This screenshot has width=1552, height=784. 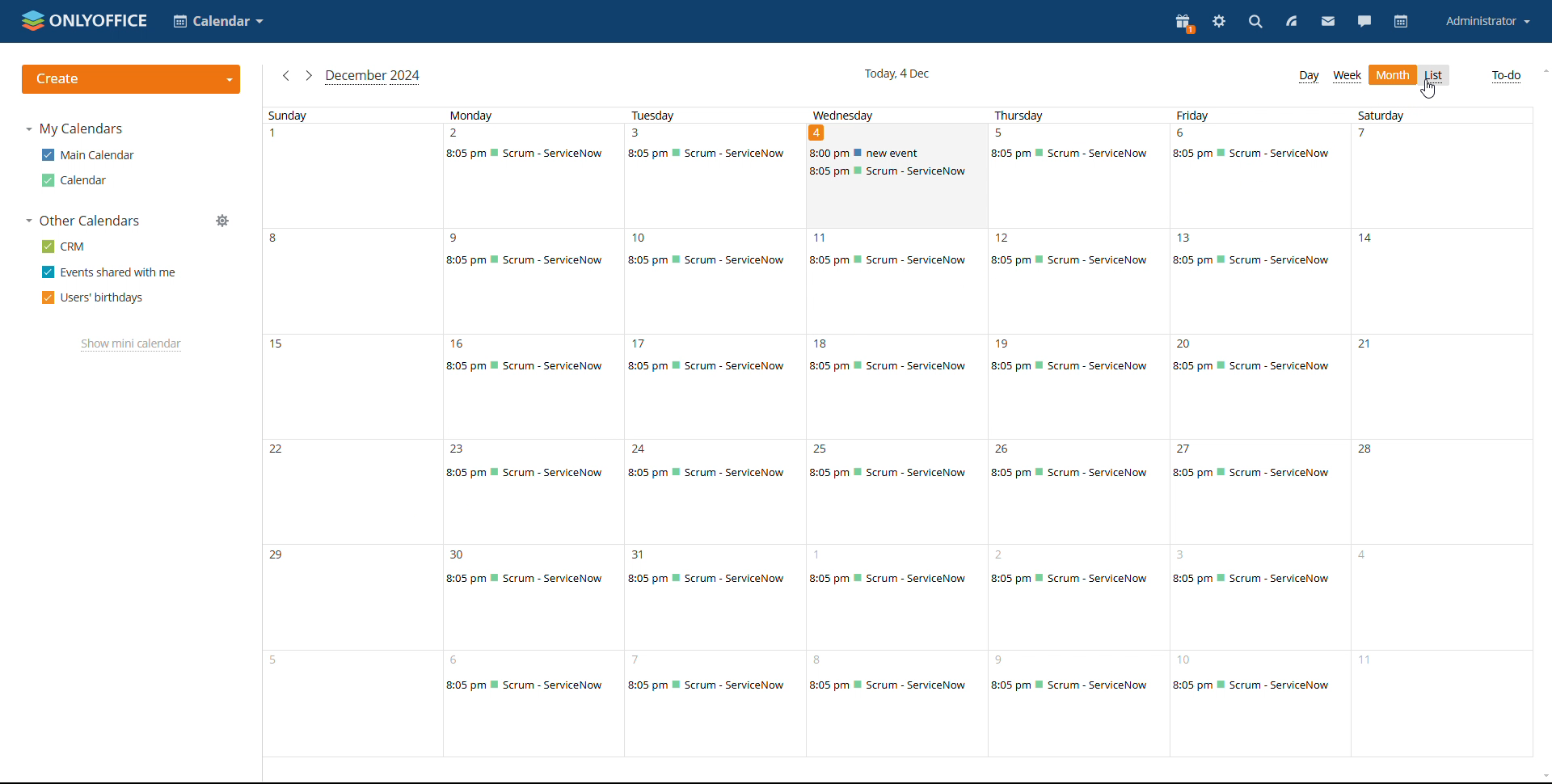 What do you see at coordinates (351, 440) in the screenshot?
I see `sunday` at bounding box center [351, 440].